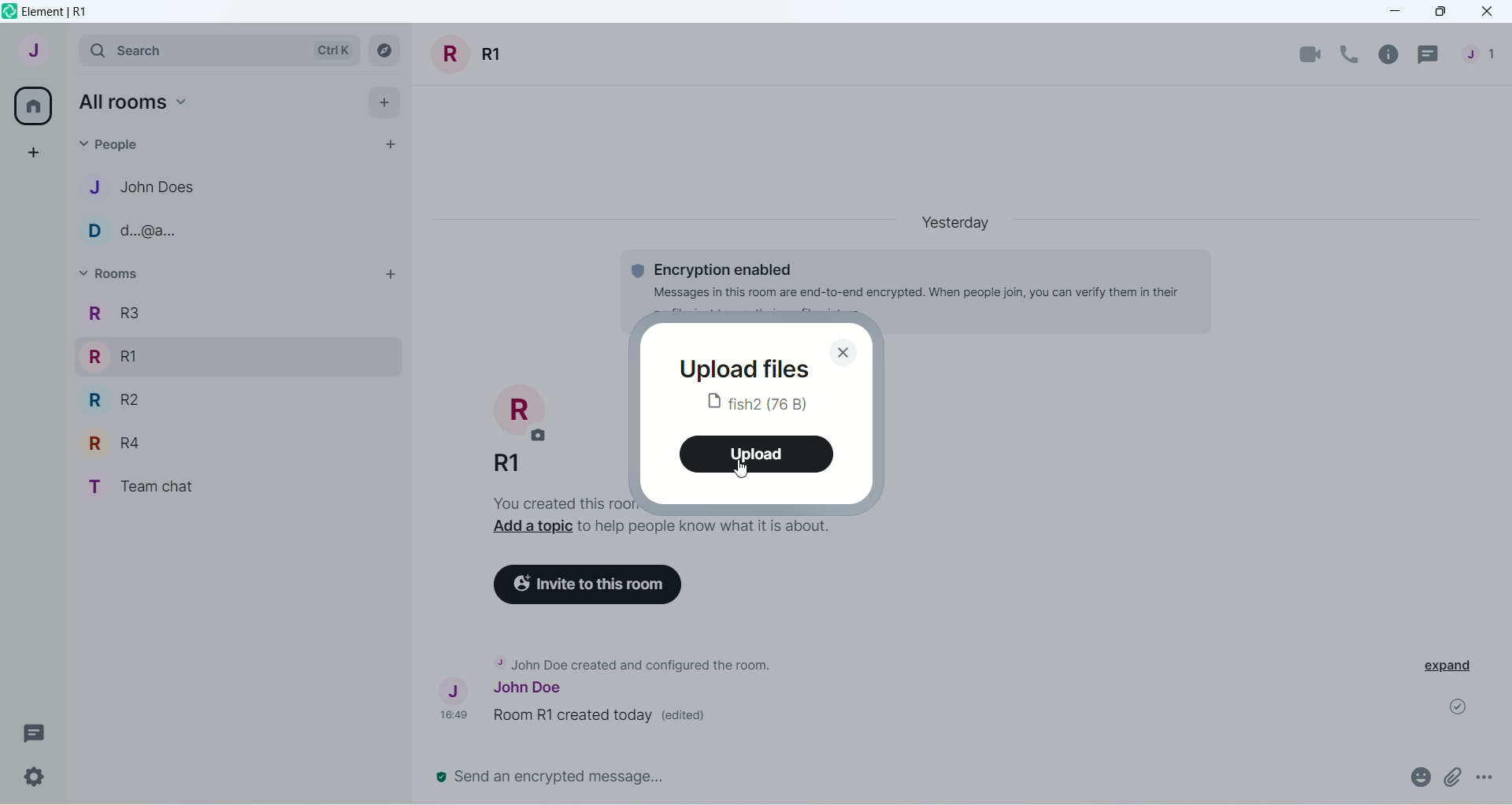 This screenshot has width=1512, height=805. Describe the element at coordinates (391, 275) in the screenshot. I see `add` at that location.